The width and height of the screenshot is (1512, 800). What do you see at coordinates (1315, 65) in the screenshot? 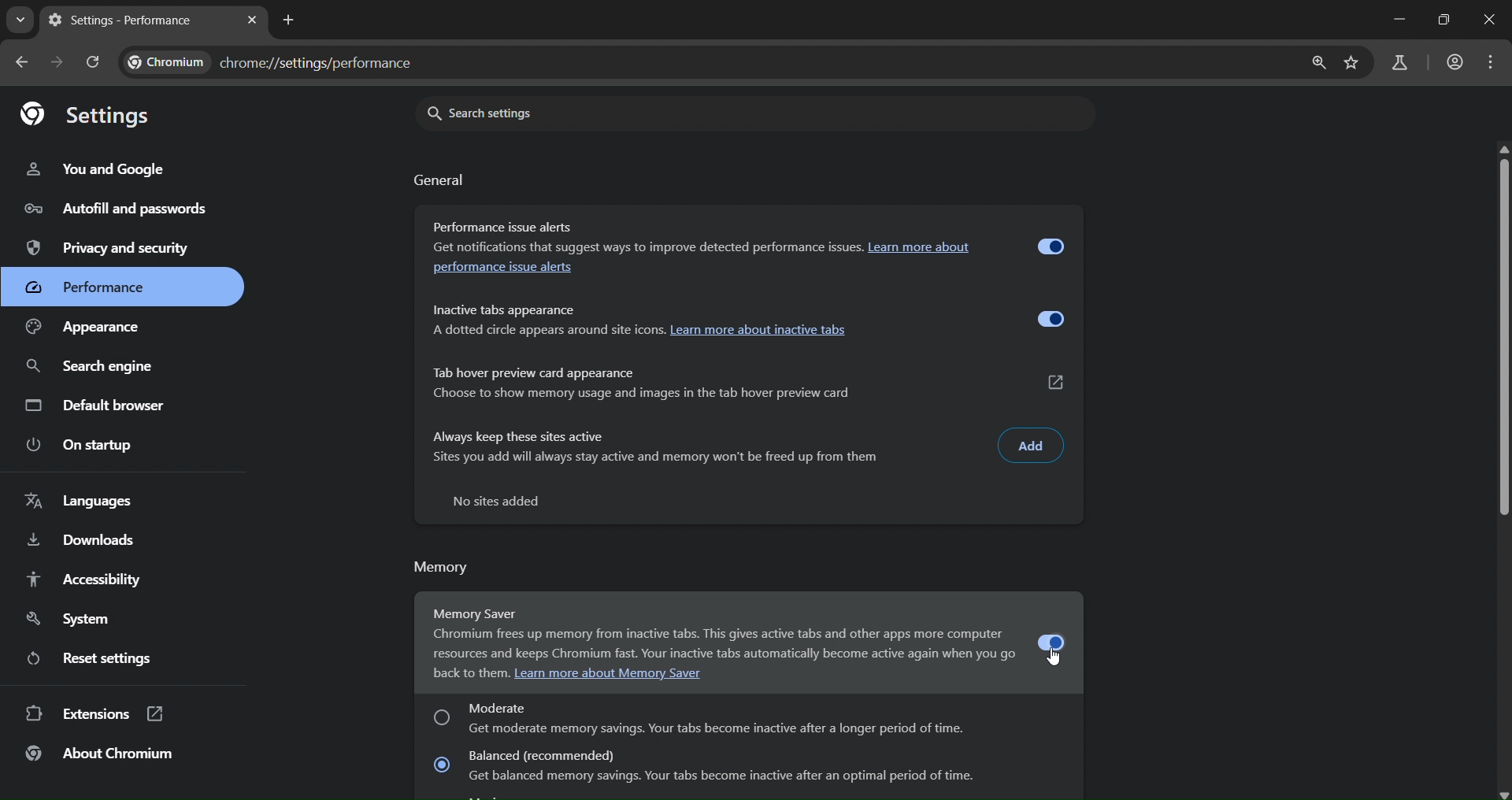
I see `zoom` at bounding box center [1315, 65].